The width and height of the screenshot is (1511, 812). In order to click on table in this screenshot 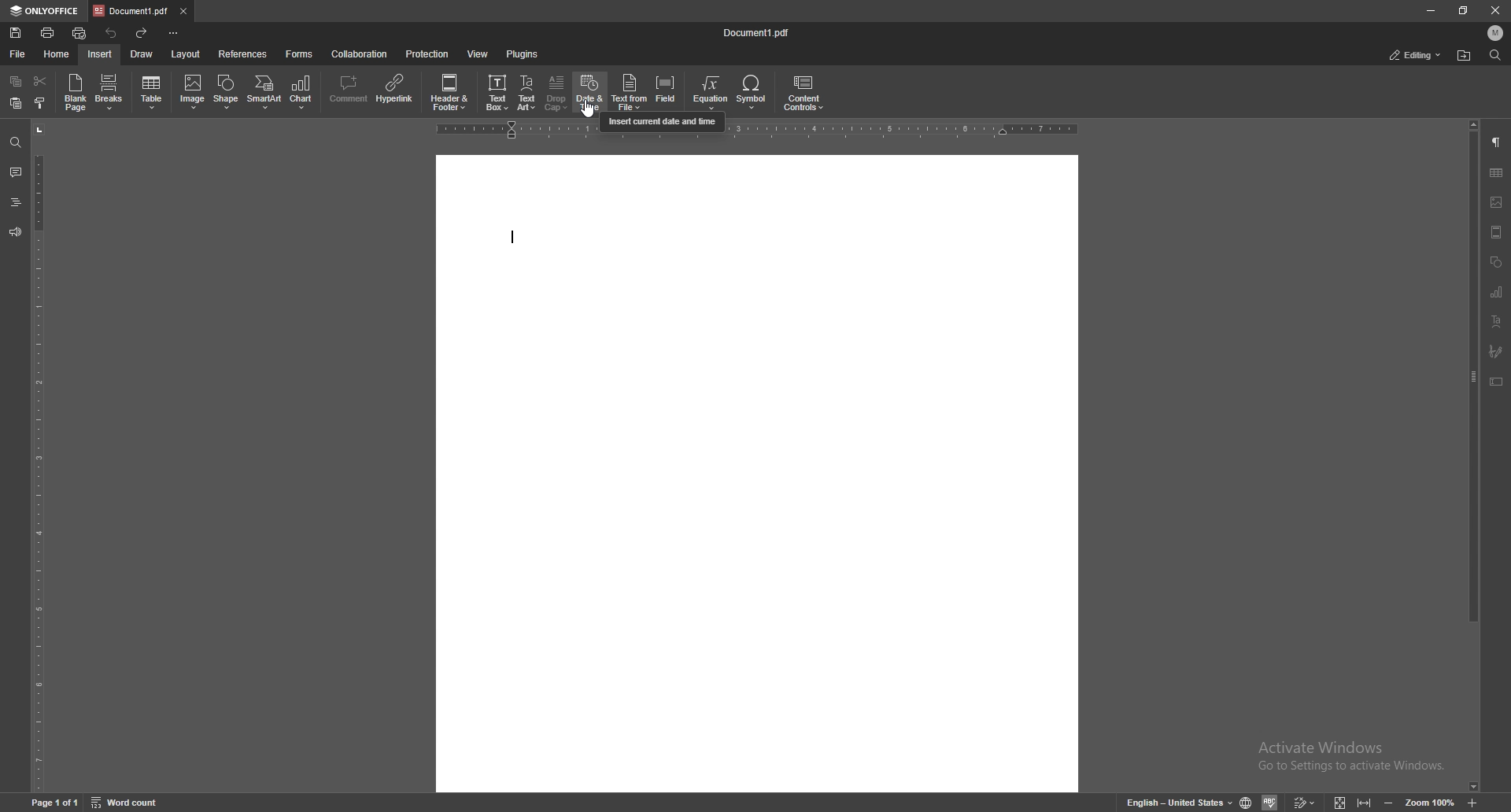, I will do `click(152, 94)`.